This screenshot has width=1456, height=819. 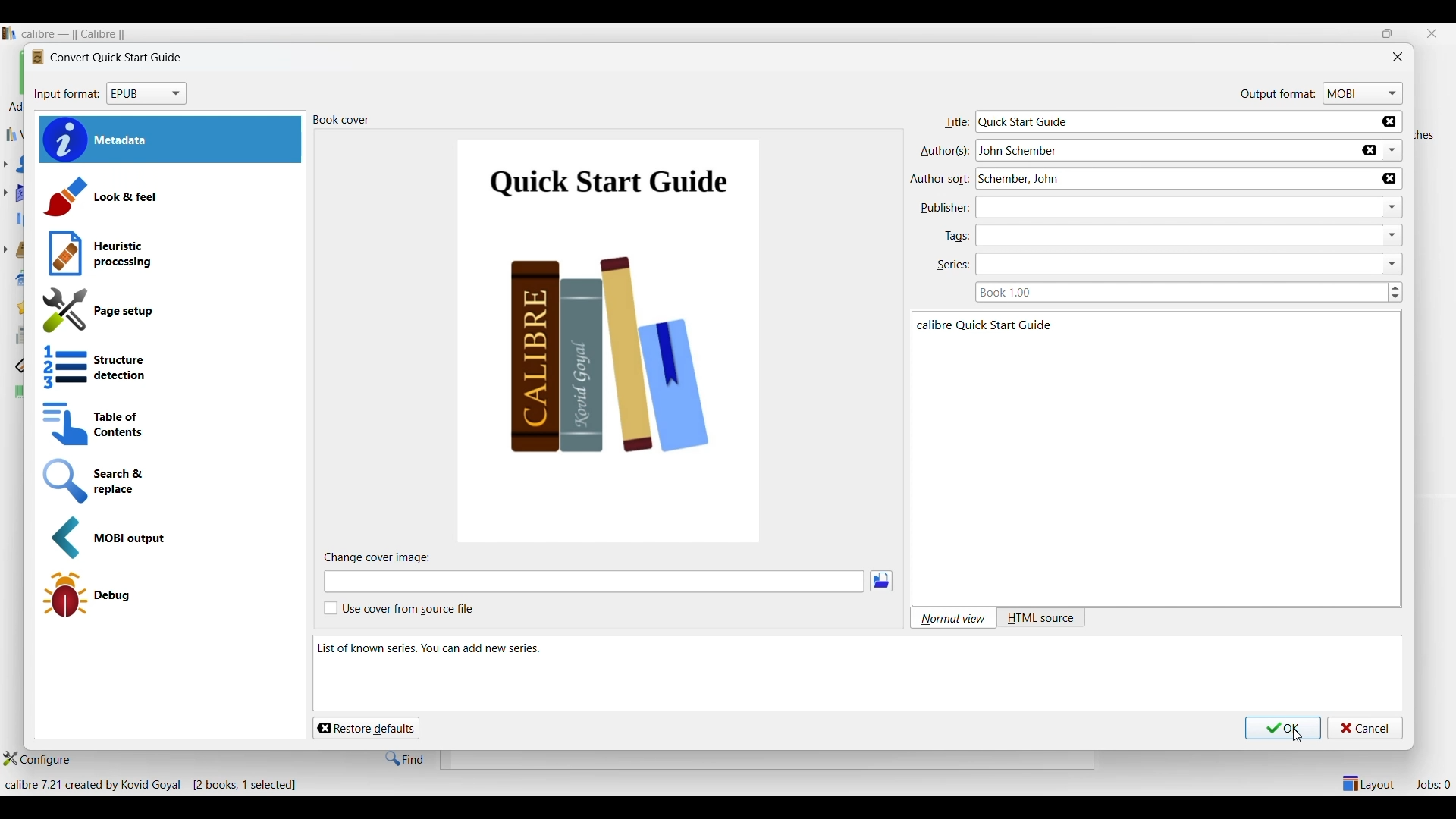 I want to click on Structure detection, so click(x=168, y=368).